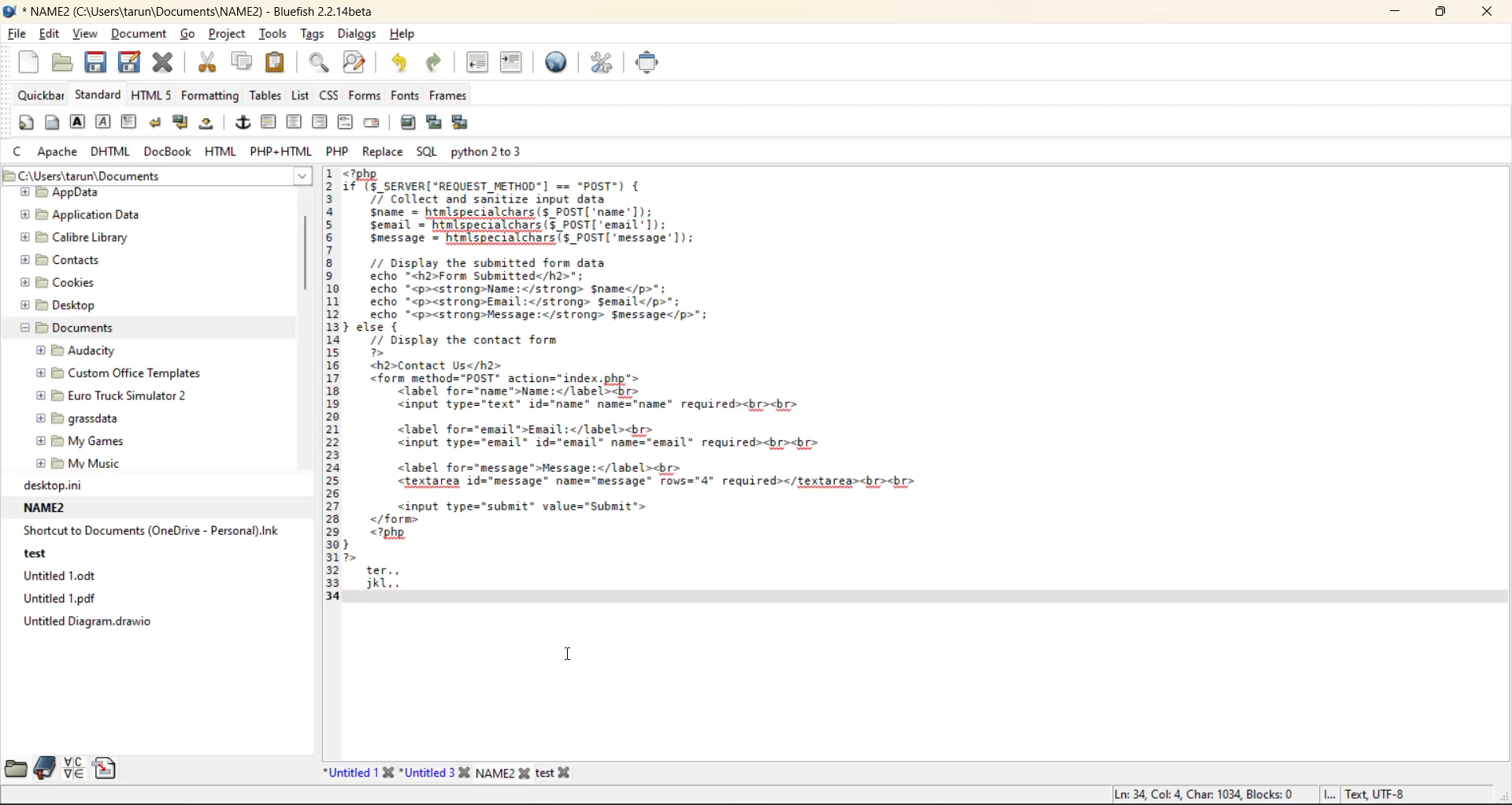 The height and width of the screenshot is (805, 1512). What do you see at coordinates (1440, 13) in the screenshot?
I see `maximize` at bounding box center [1440, 13].